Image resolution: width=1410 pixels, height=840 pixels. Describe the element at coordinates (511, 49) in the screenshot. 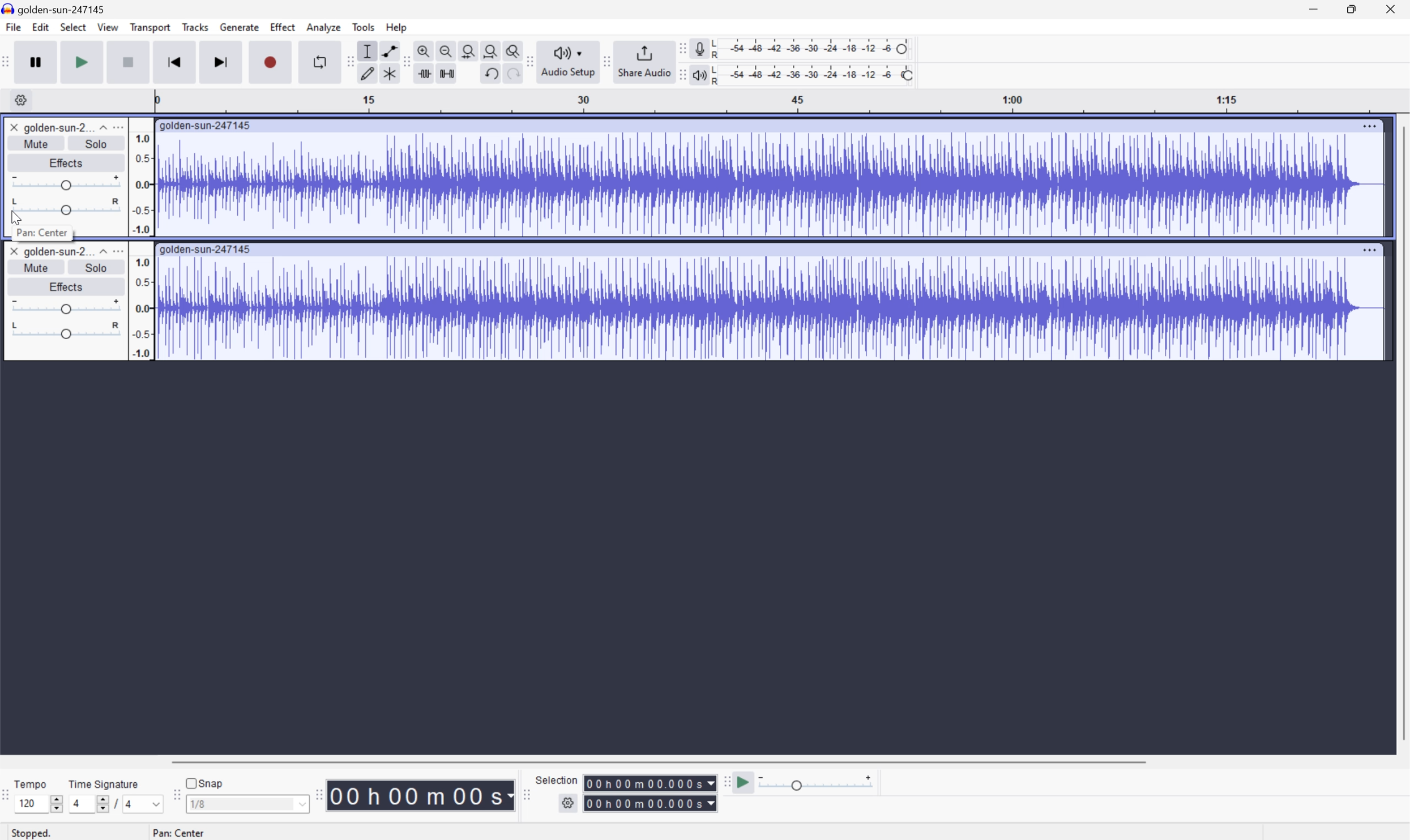

I see `Zoom toggle` at that location.